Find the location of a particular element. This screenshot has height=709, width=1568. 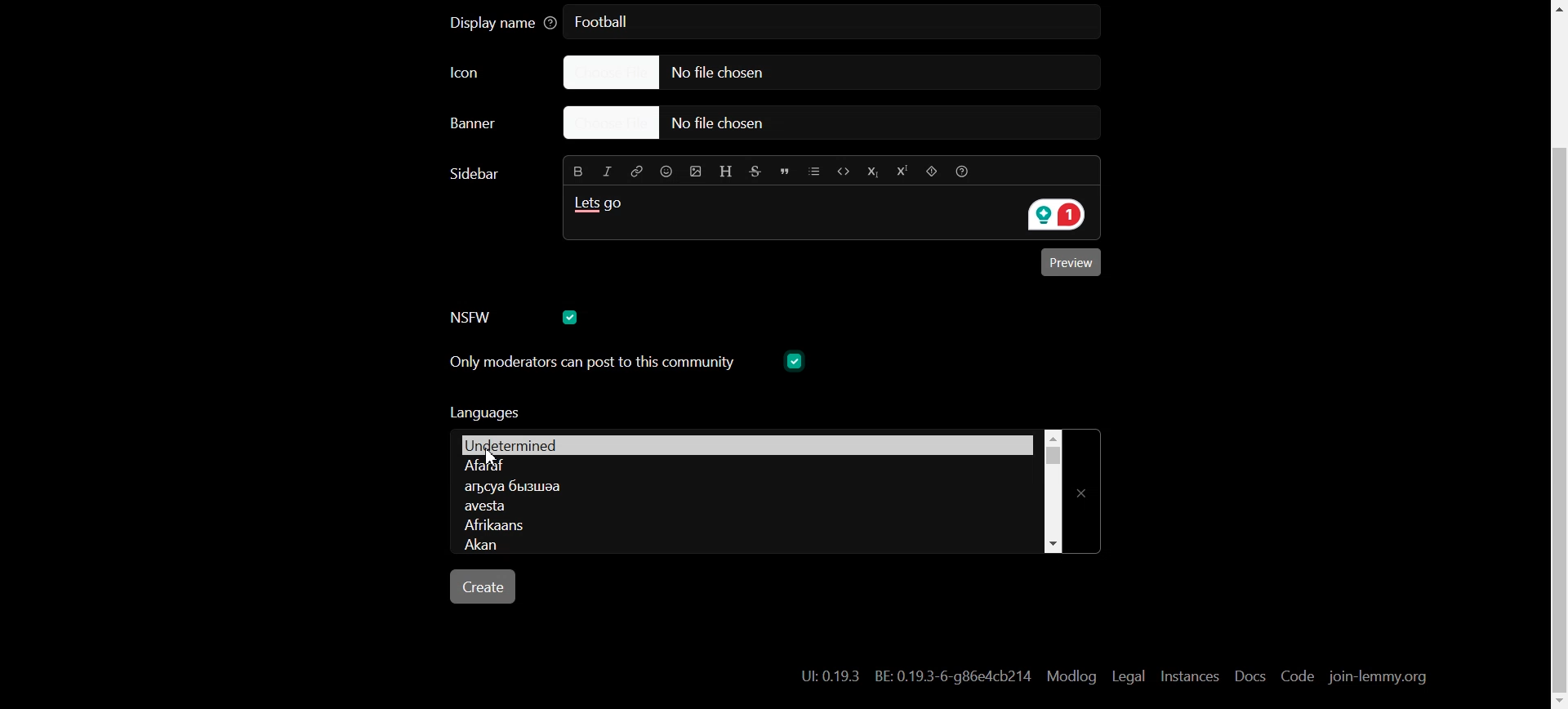

Close Window is located at coordinates (1087, 486).